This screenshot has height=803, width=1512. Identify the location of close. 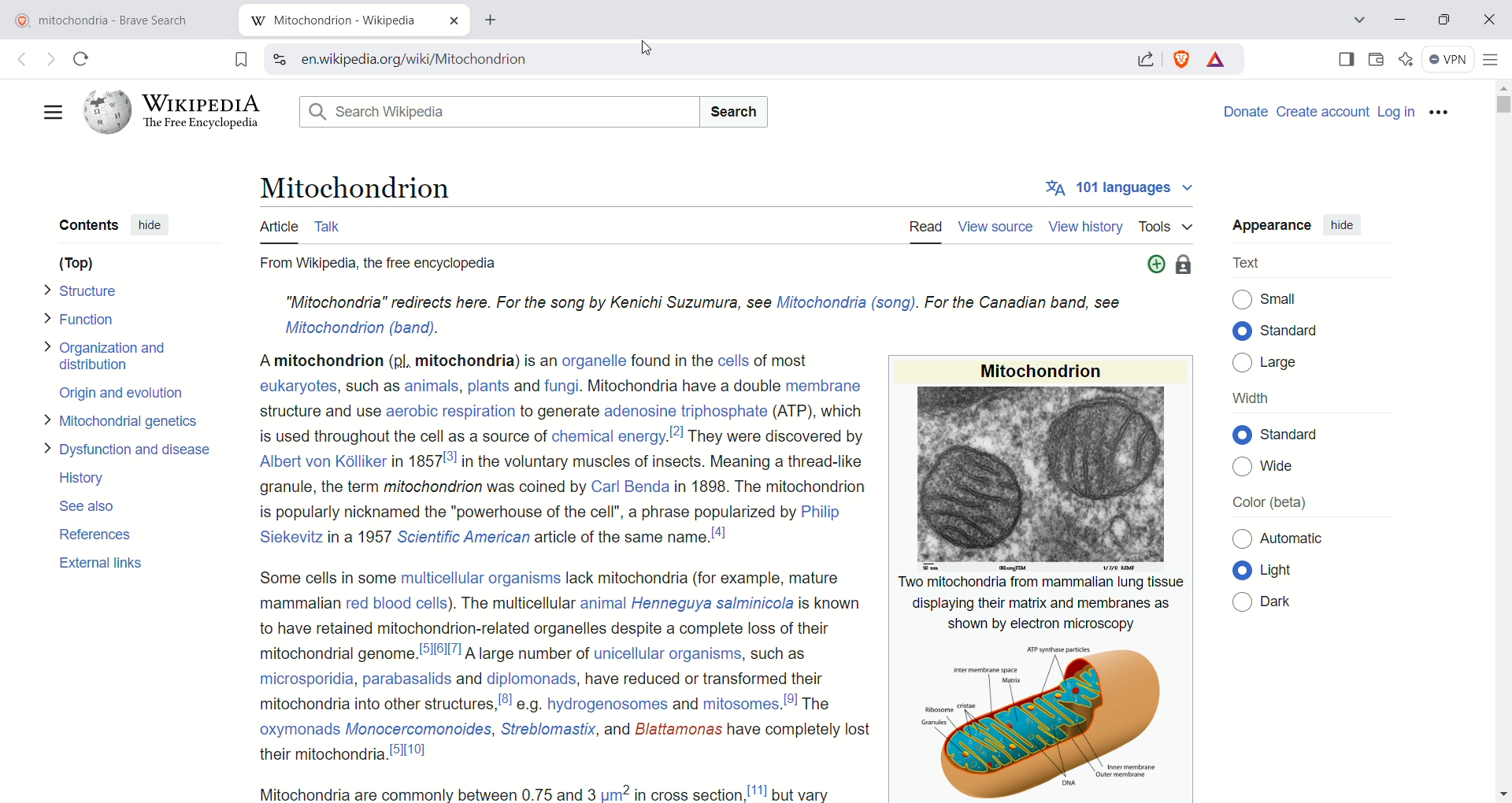
(453, 20).